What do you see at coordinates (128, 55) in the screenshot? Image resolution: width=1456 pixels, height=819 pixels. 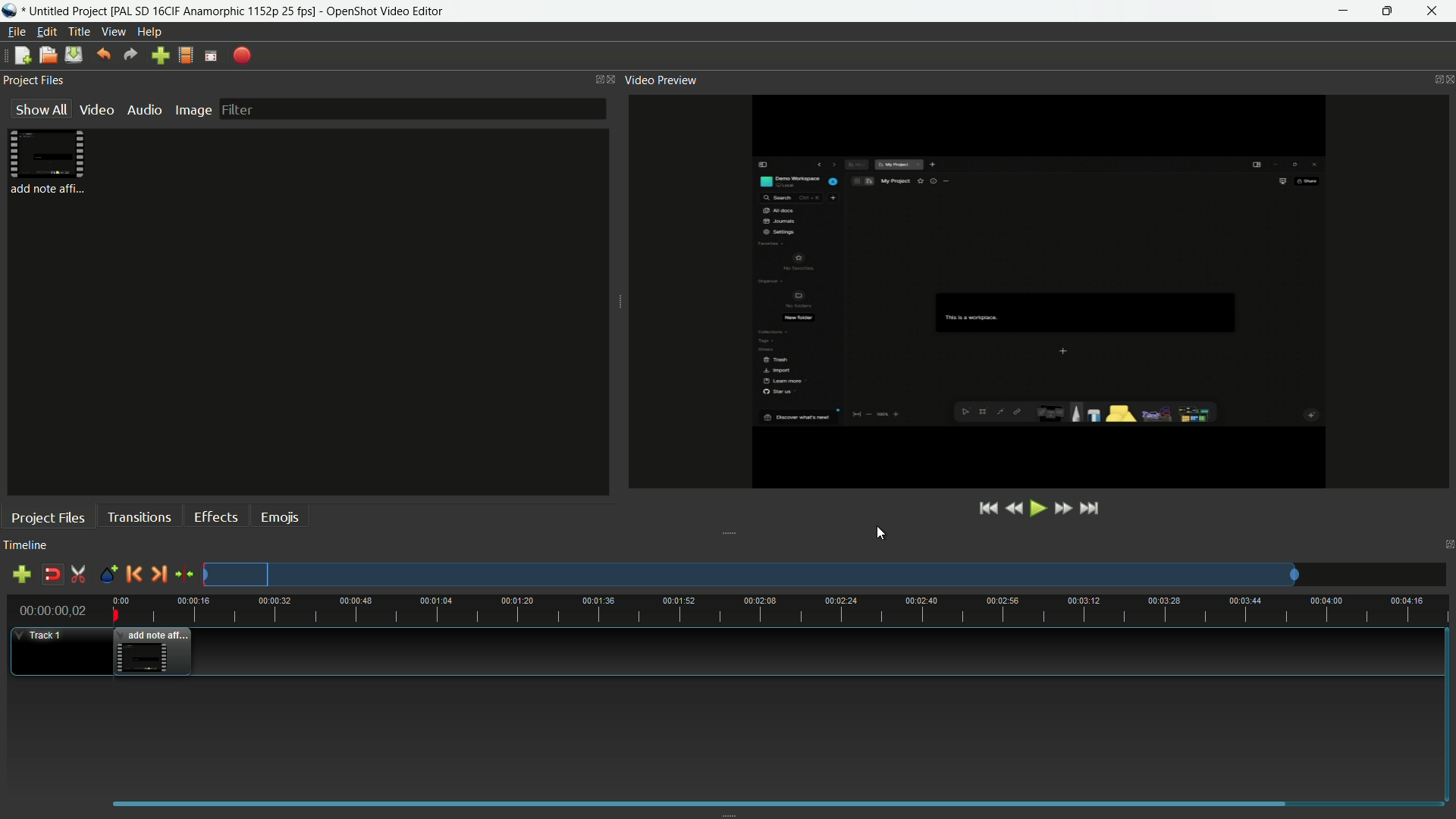 I see `redo` at bounding box center [128, 55].